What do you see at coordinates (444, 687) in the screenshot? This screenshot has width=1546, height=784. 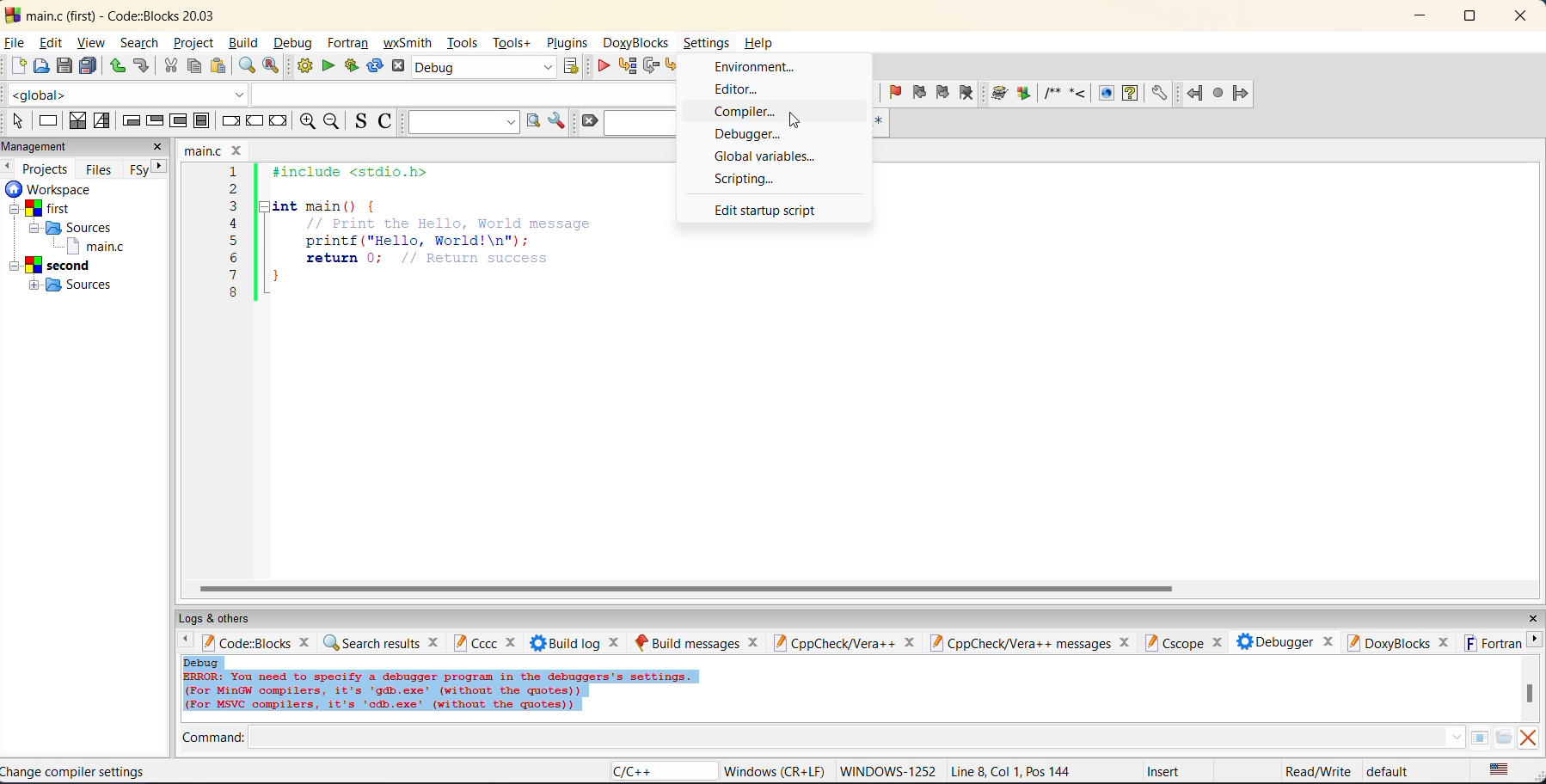 I see `Debug

ERROR: You need to specify a debugger program in the debuggers's settings.
(For MinGW compilers, it's 'gdb.exe’ (without the quotes))

(For MsVC compilers, it's 'cdb.exe' (without the quotes))` at bounding box center [444, 687].